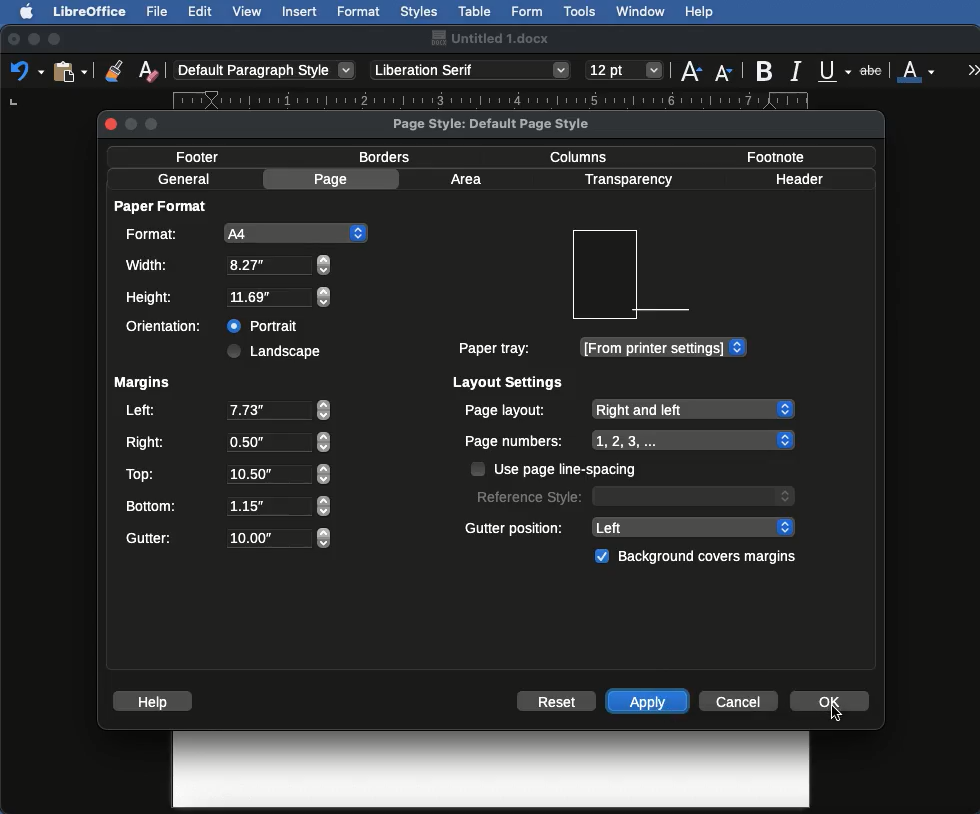 Image resolution: width=980 pixels, height=814 pixels. Describe the element at coordinates (641, 12) in the screenshot. I see `Window` at that location.